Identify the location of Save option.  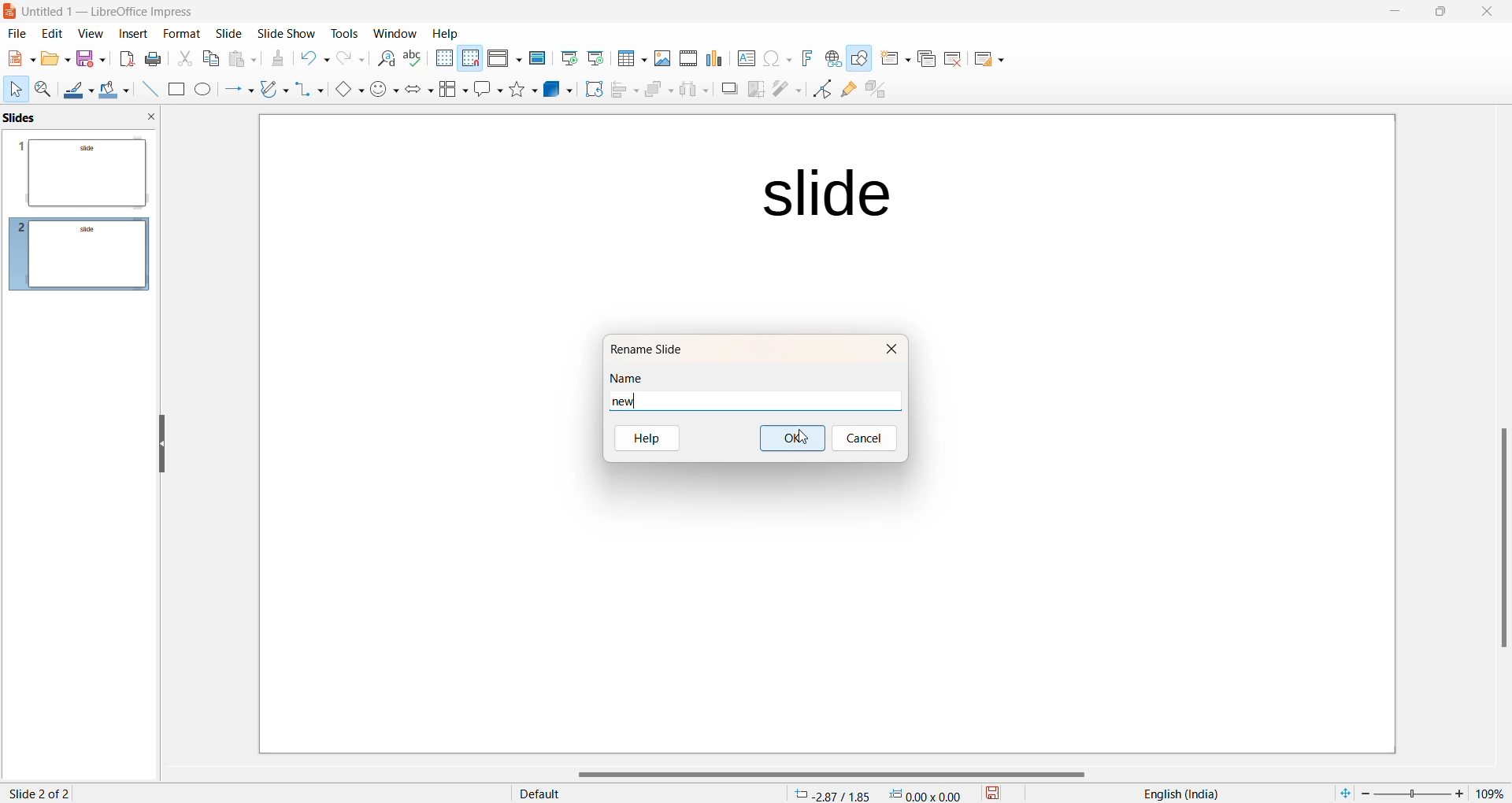
(91, 59).